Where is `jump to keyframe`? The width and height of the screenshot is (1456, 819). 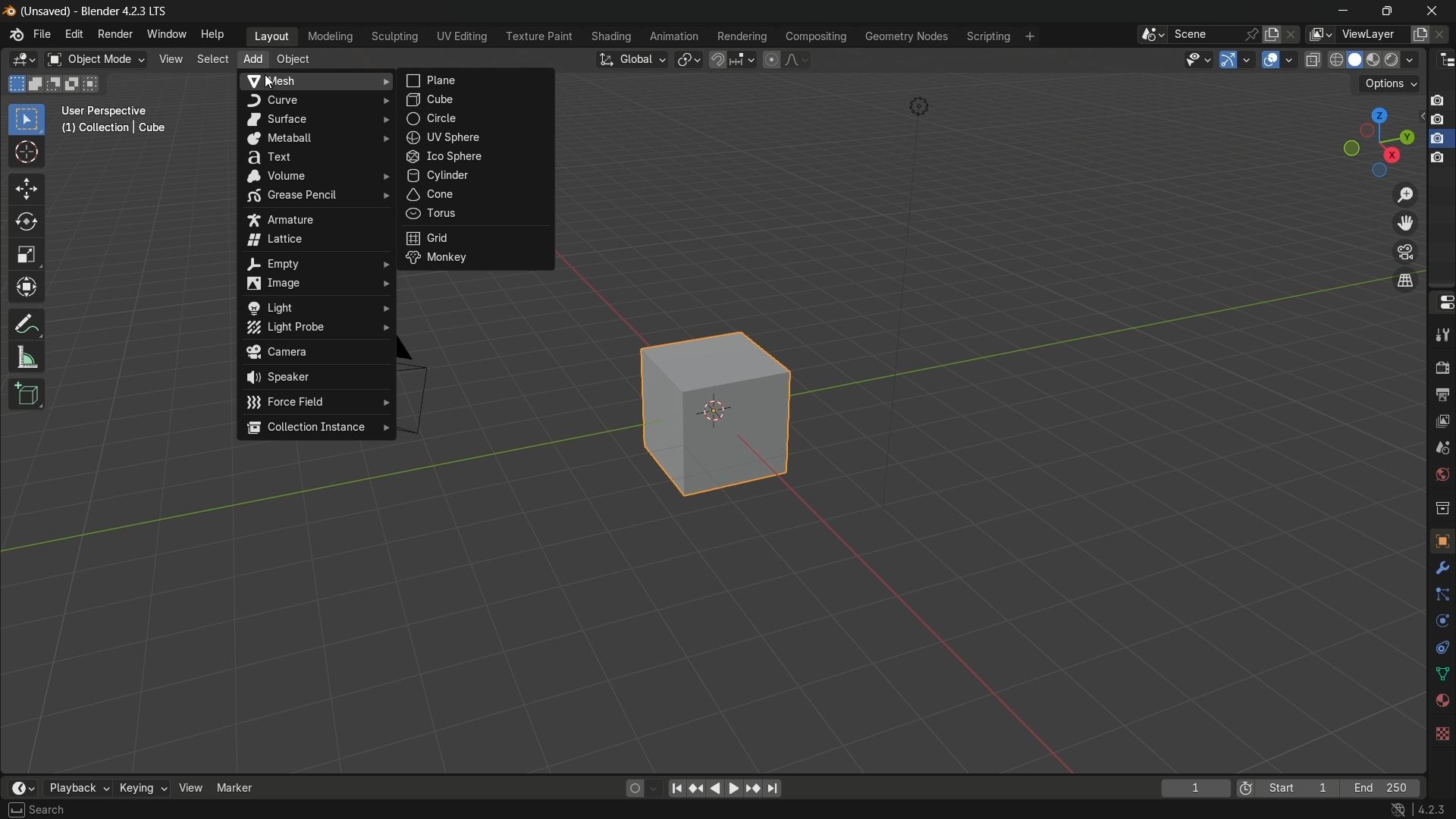 jump to keyframe is located at coordinates (695, 789).